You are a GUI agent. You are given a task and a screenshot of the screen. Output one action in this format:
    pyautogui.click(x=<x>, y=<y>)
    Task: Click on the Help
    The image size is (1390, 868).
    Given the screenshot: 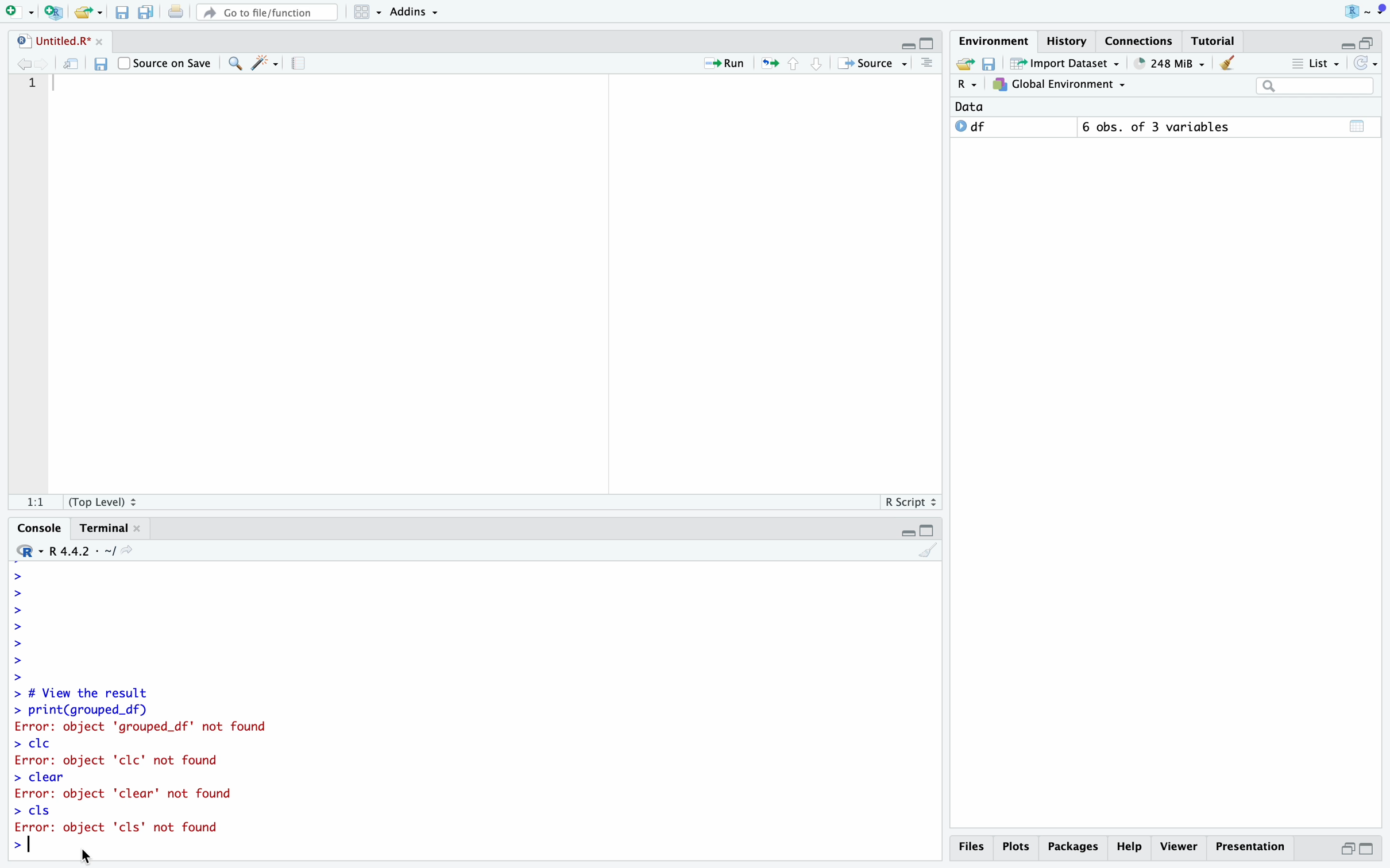 What is the action you would take?
    pyautogui.click(x=1130, y=847)
    